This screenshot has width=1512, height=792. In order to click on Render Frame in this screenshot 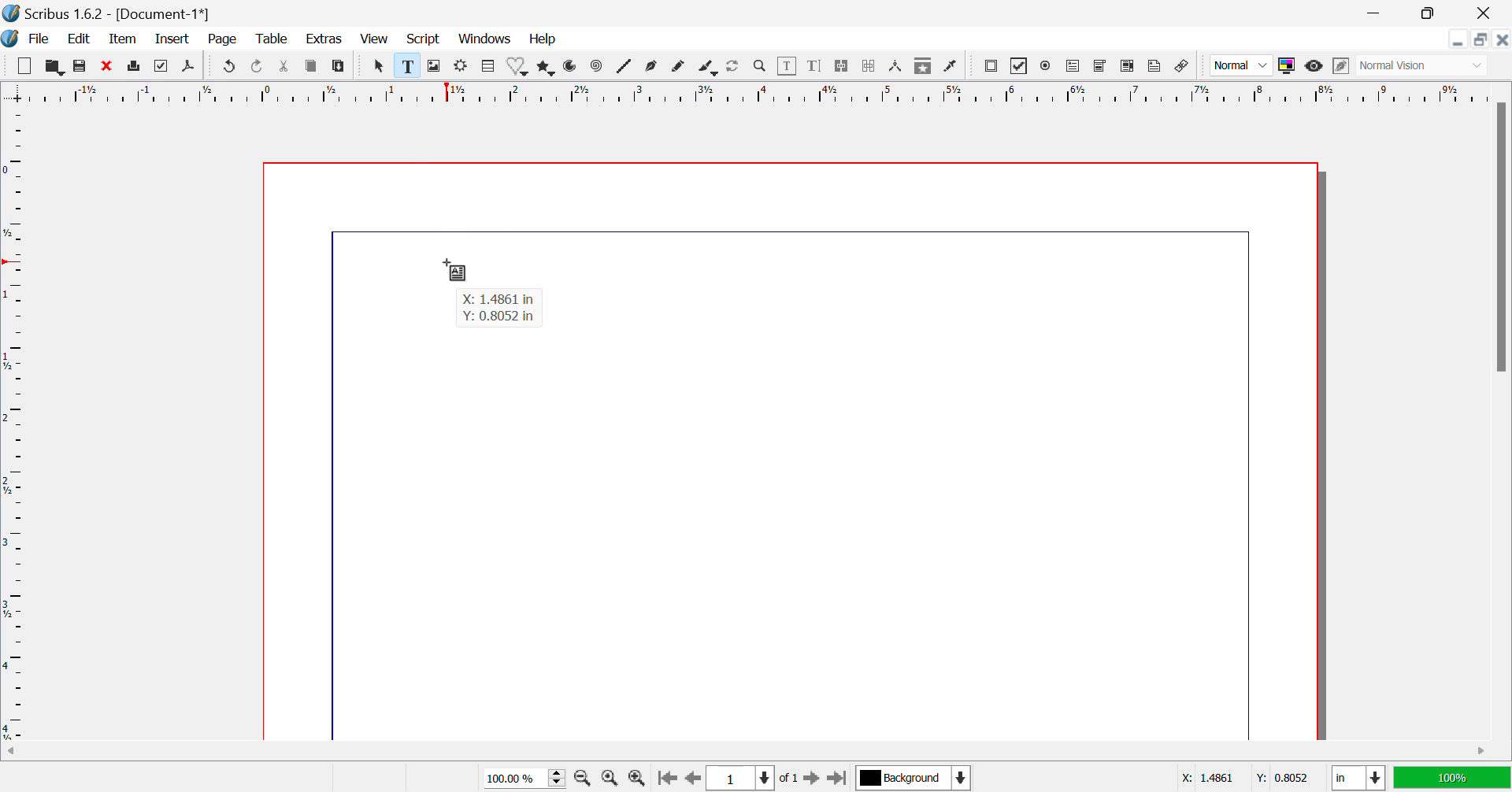, I will do `click(463, 66)`.